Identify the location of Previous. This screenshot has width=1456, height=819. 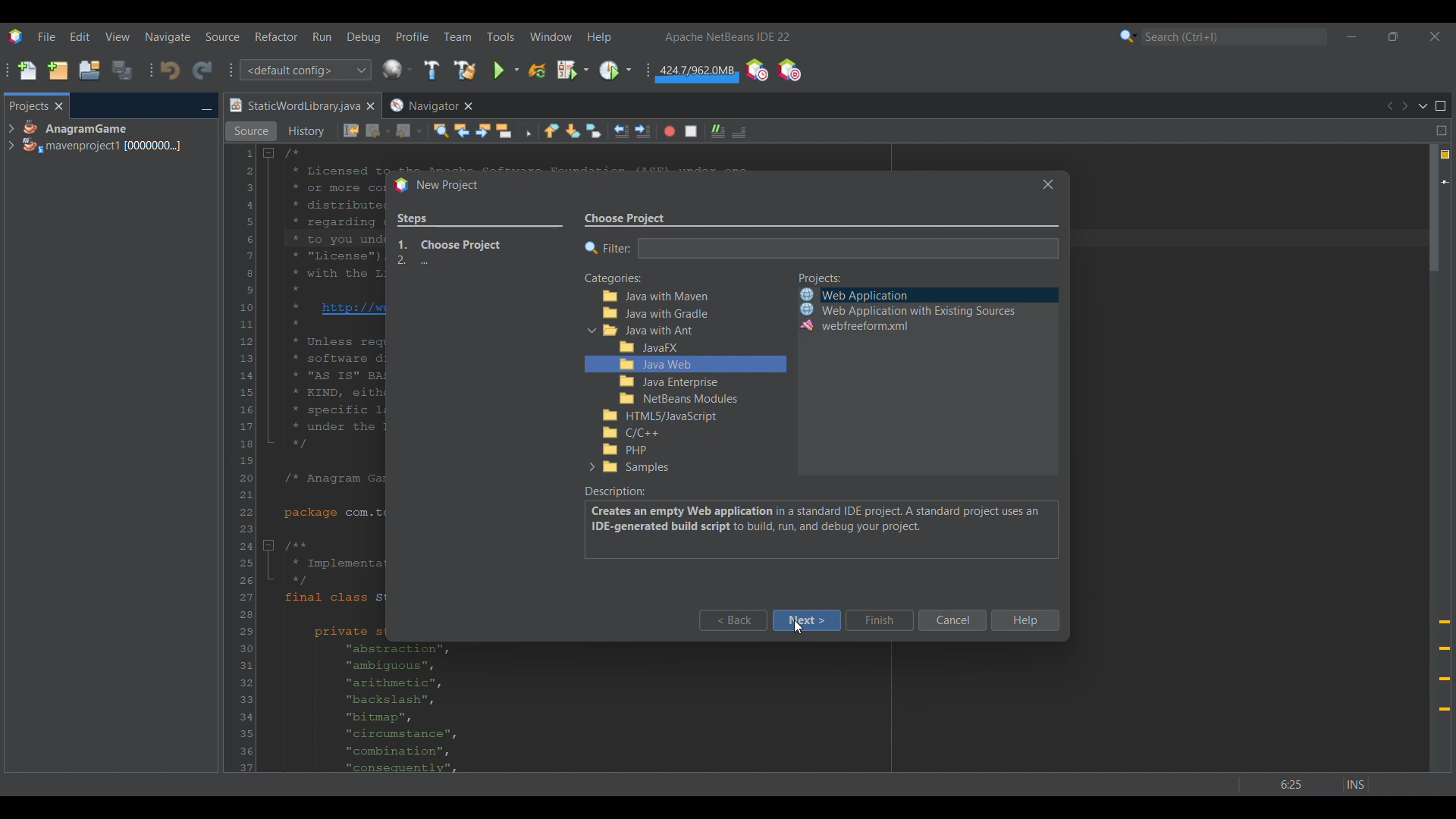
(1389, 106).